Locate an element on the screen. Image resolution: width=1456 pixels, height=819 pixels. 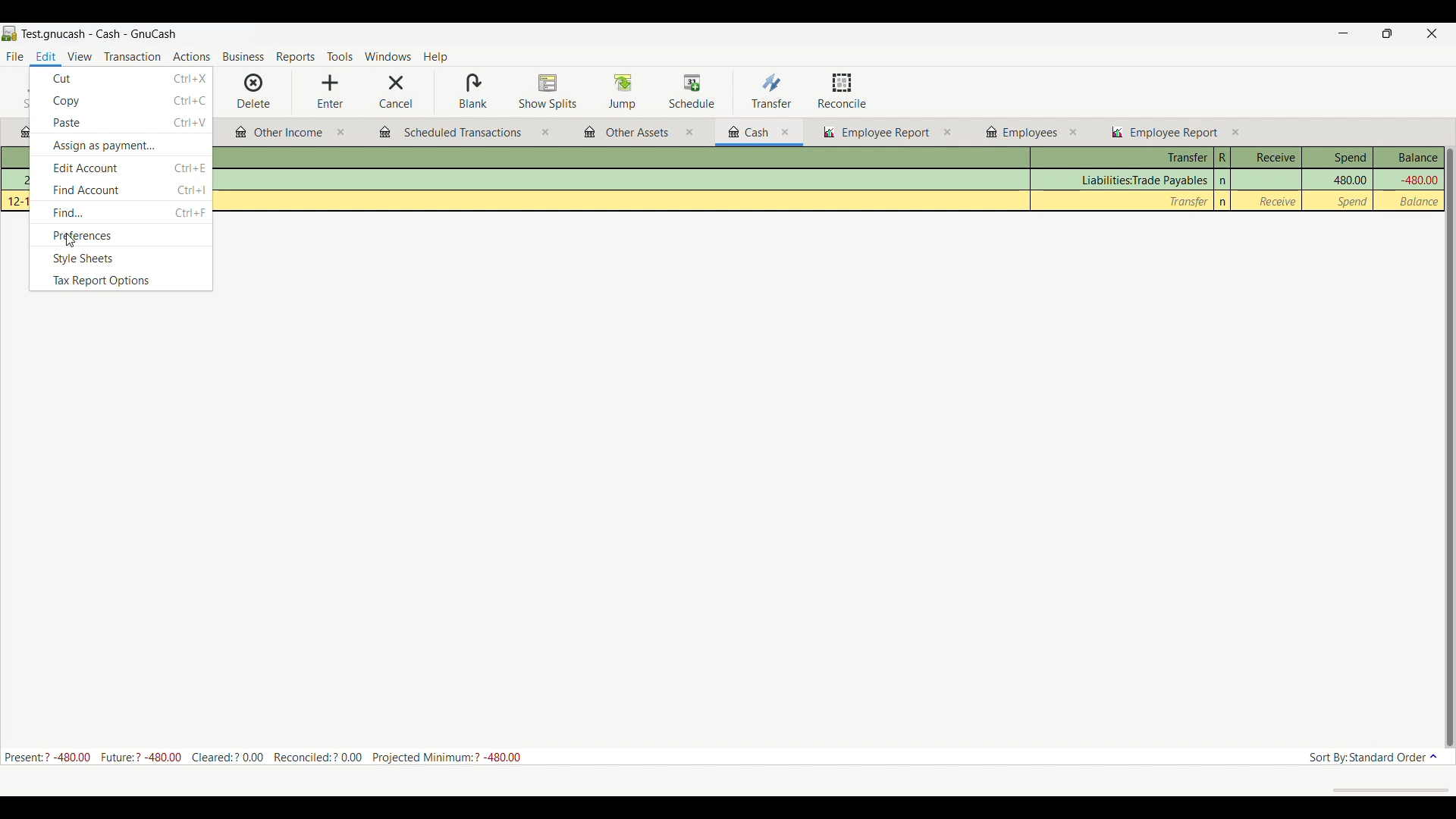
Paste is located at coordinates (122, 122).